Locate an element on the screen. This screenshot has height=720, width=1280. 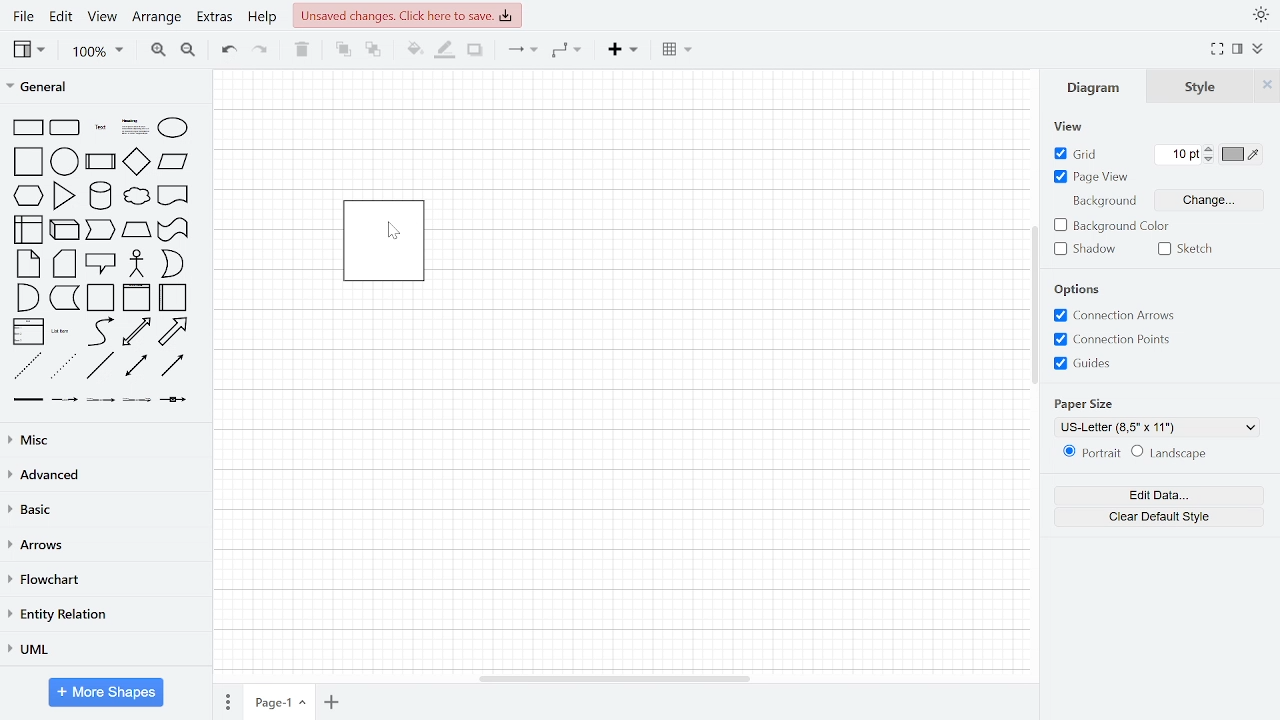
horizontal container is located at coordinates (174, 297).